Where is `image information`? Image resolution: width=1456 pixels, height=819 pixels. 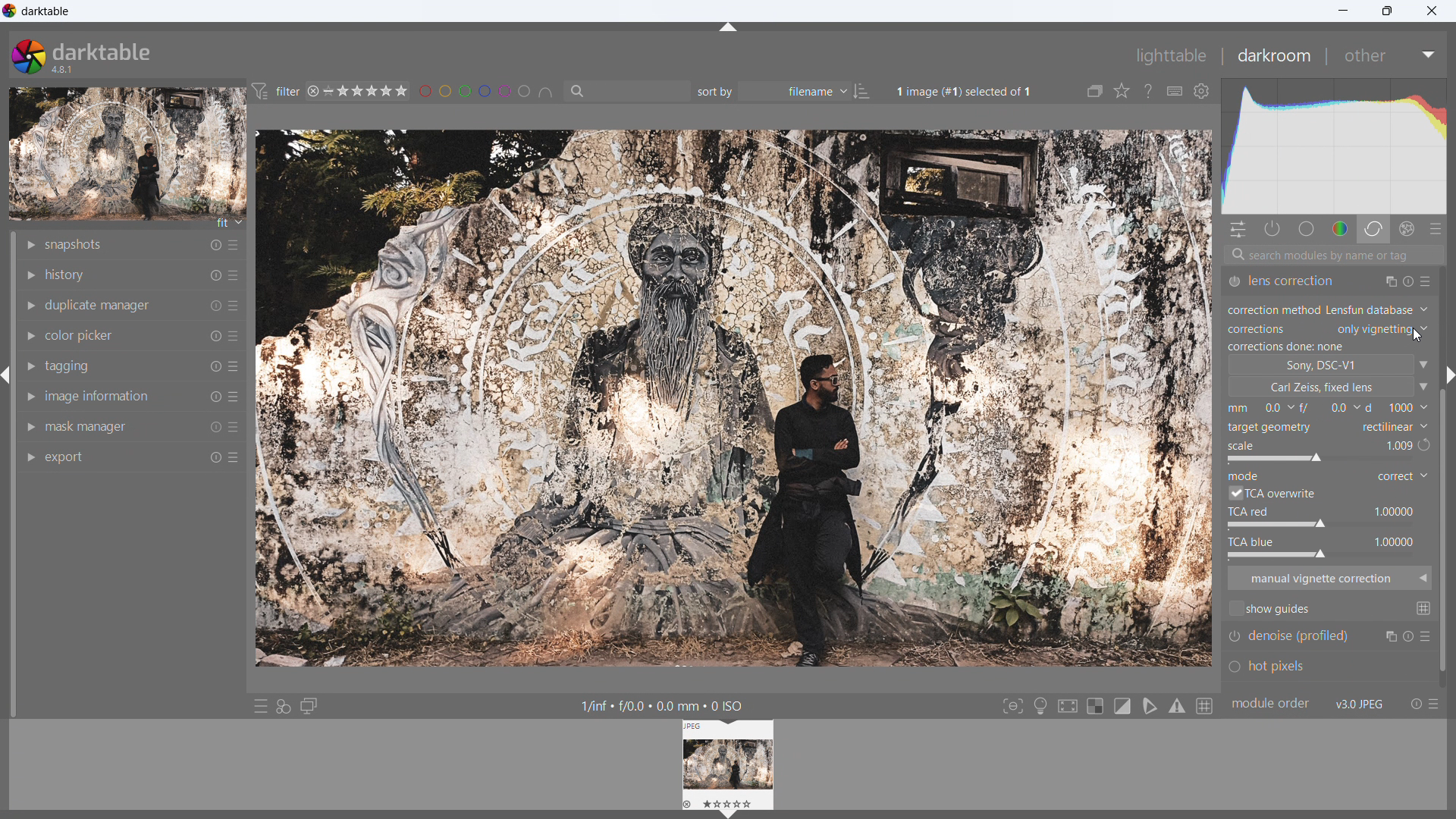 image information is located at coordinates (99, 396).